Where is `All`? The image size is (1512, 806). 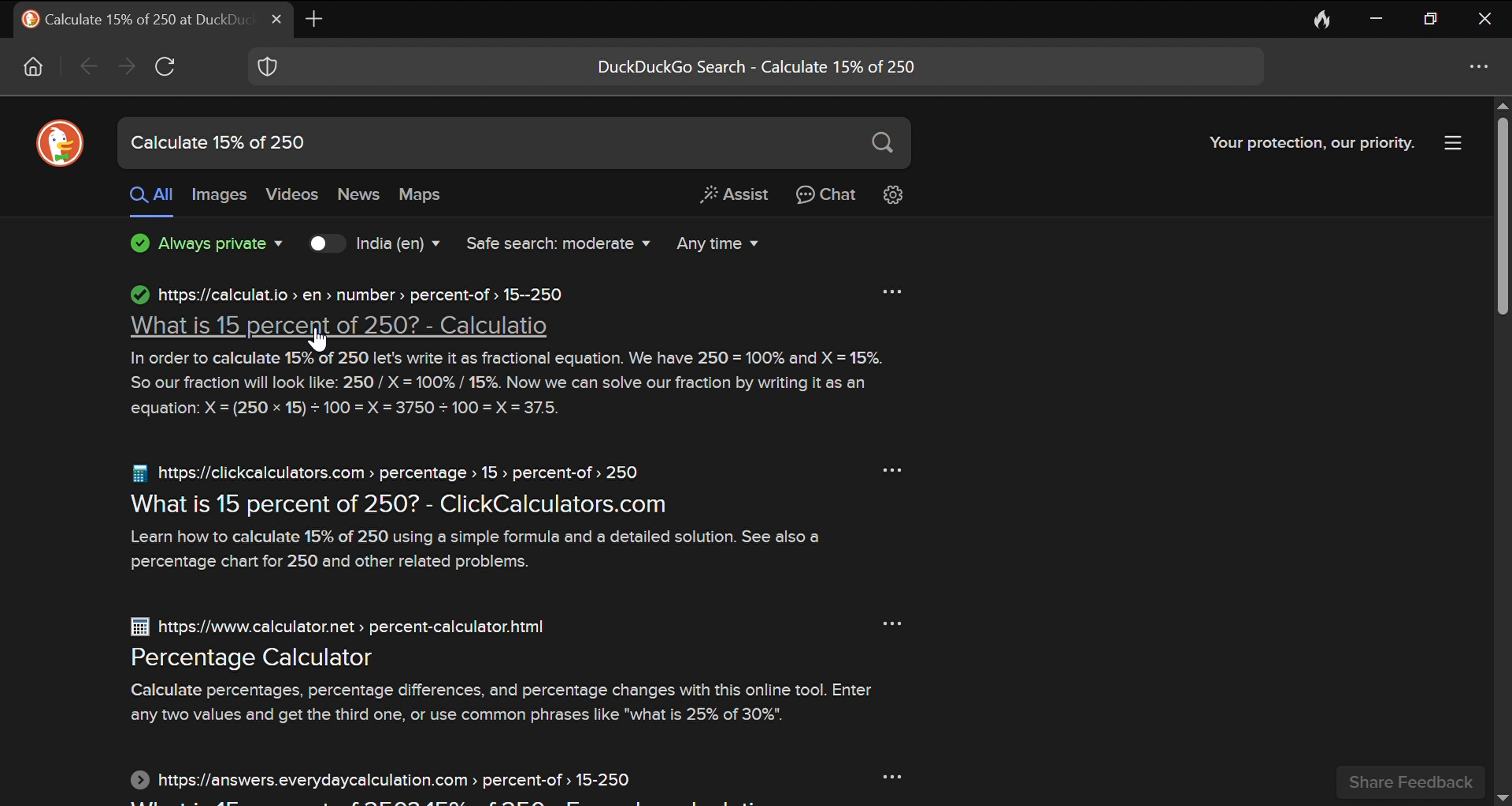 All is located at coordinates (150, 200).